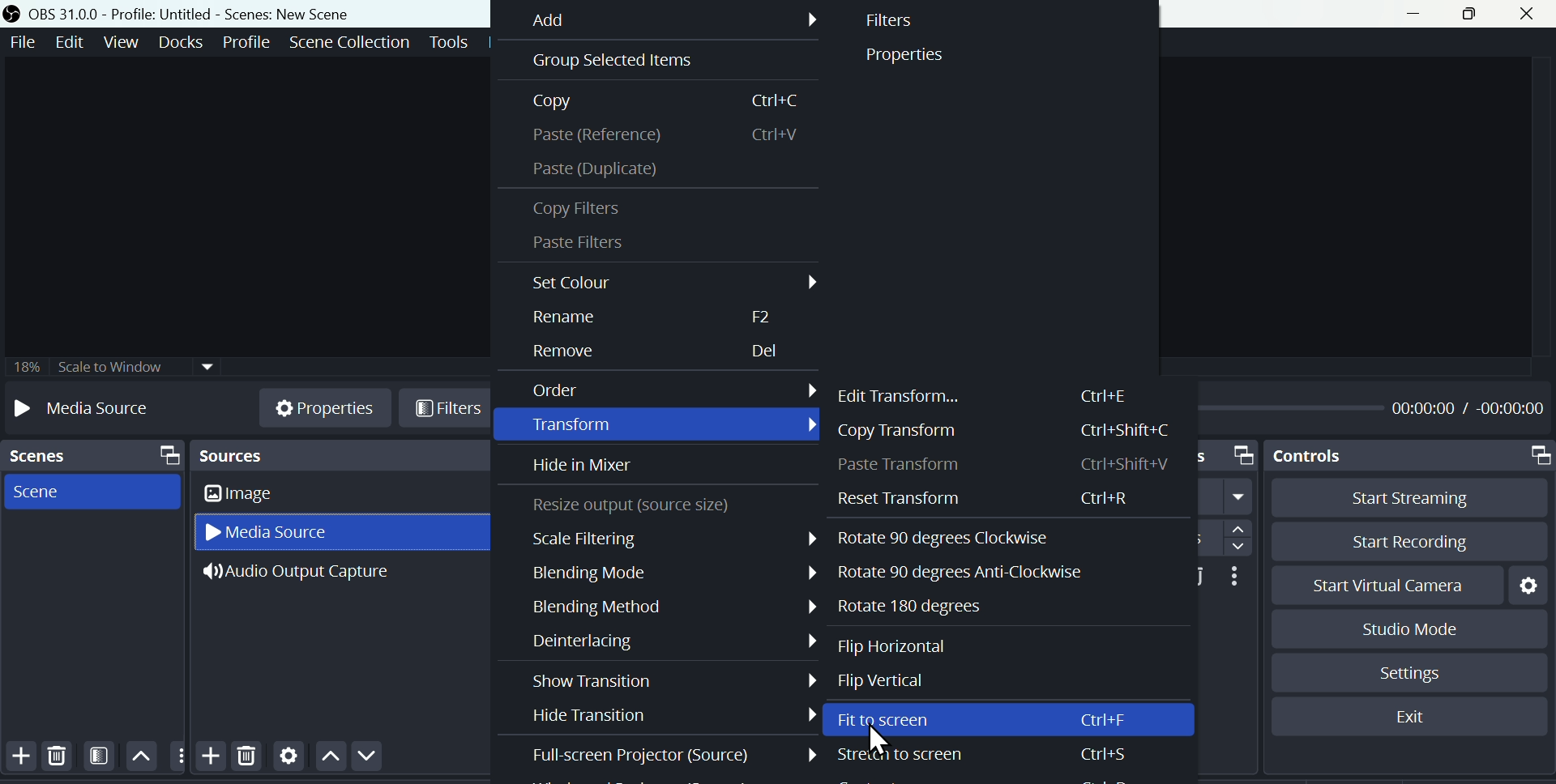  What do you see at coordinates (72, 43) in the screenshot?
I see `Edit` at bounding box center [72, 43].